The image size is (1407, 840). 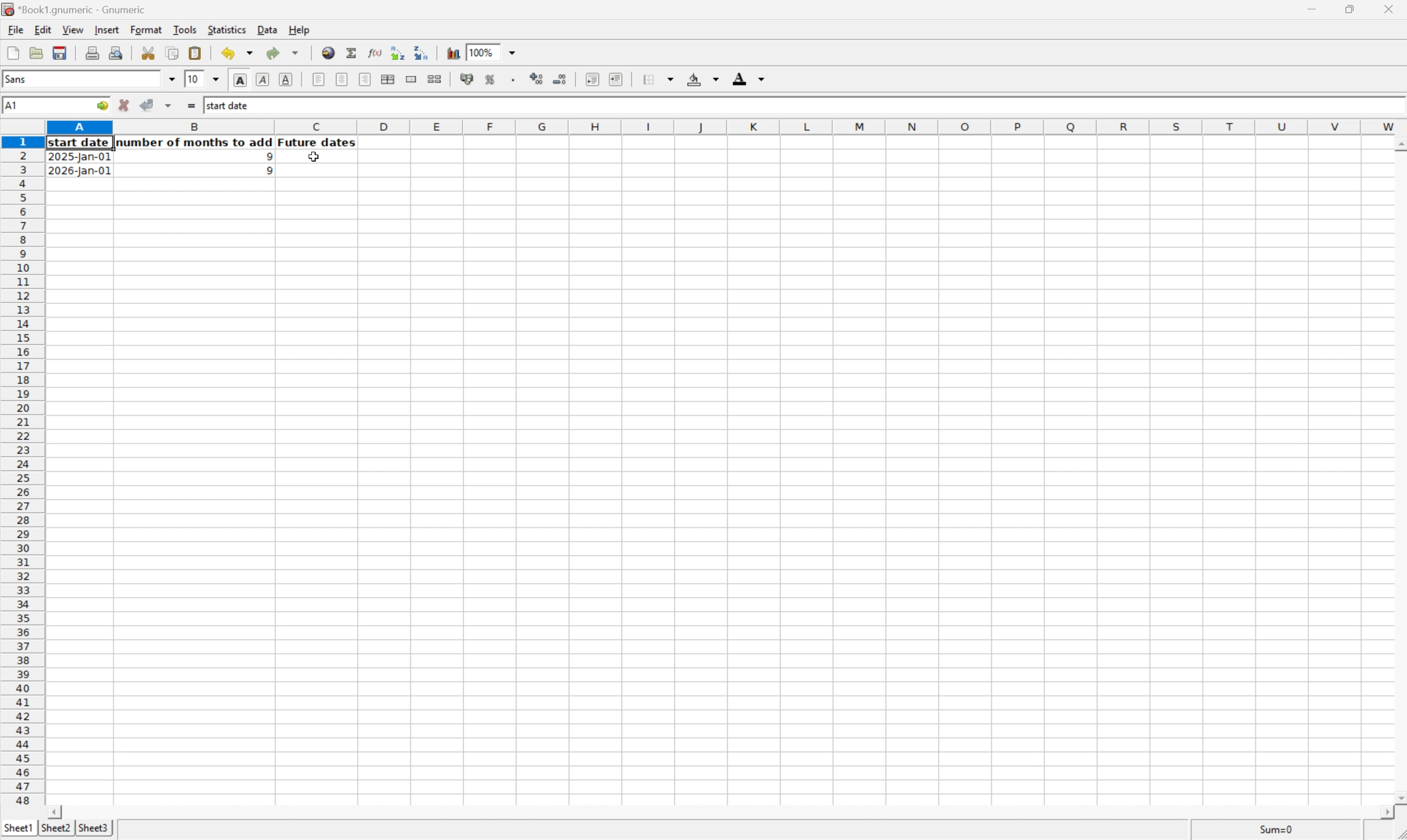 I want to click on Cut selection, so click(x=149, y=52).